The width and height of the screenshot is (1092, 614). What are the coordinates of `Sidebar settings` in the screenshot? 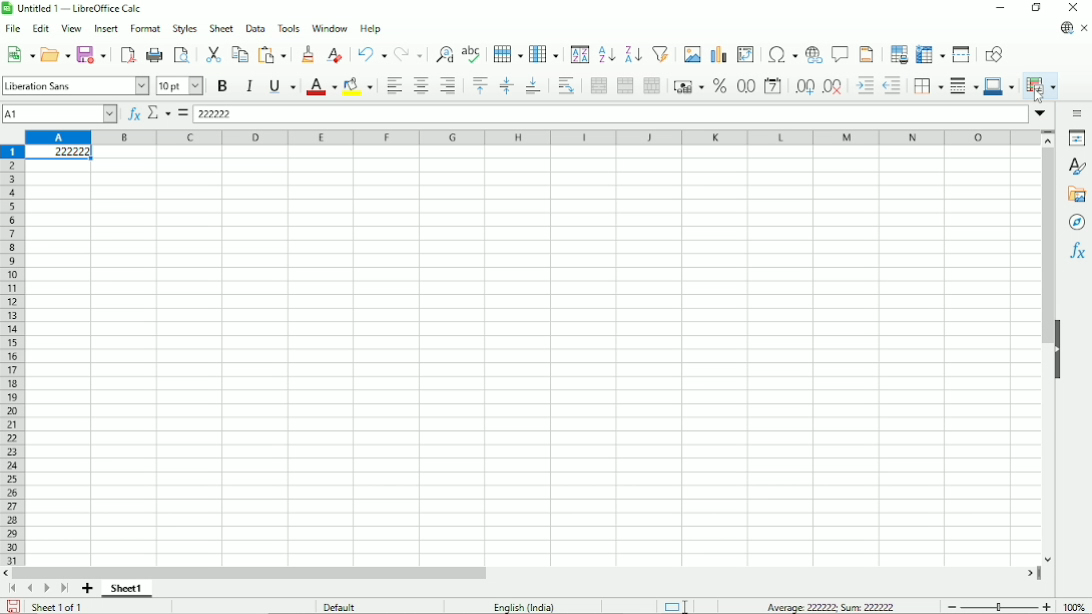 It's located at (1078, 112).